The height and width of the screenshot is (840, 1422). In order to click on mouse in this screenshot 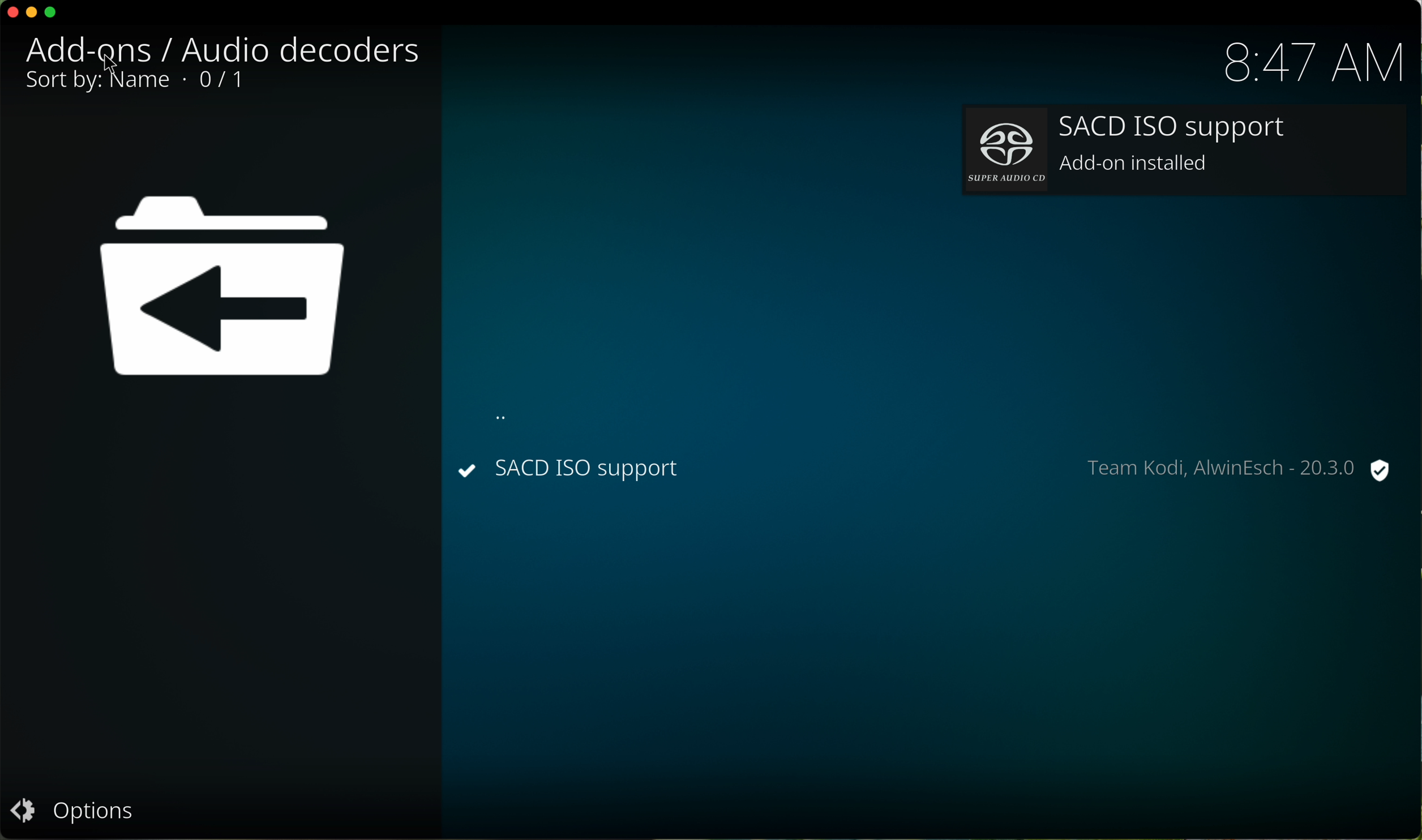, I will do `click(108, 66)`.